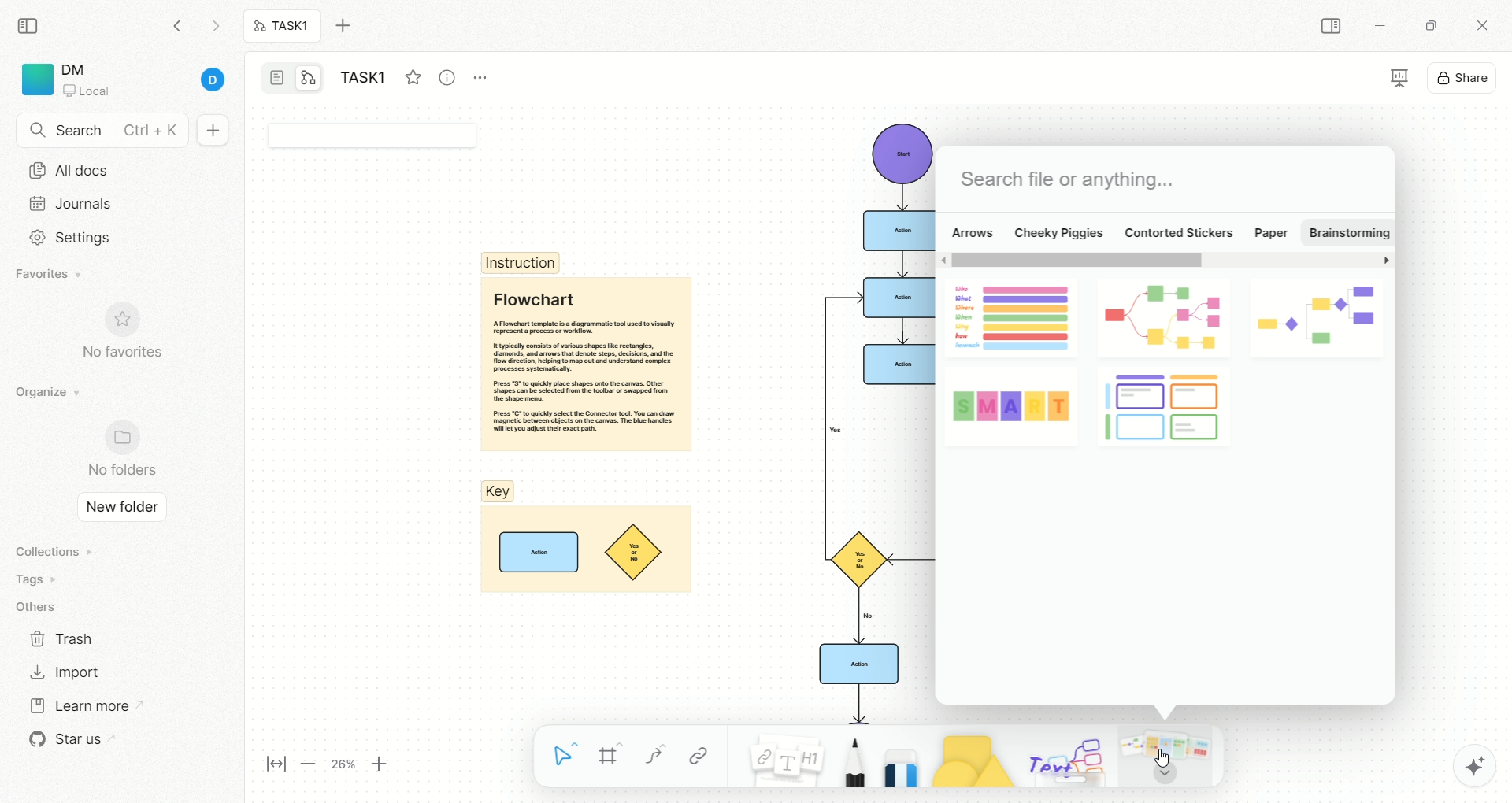 The image size is (1512, 803). I want to click on view, so click(1386, 80).